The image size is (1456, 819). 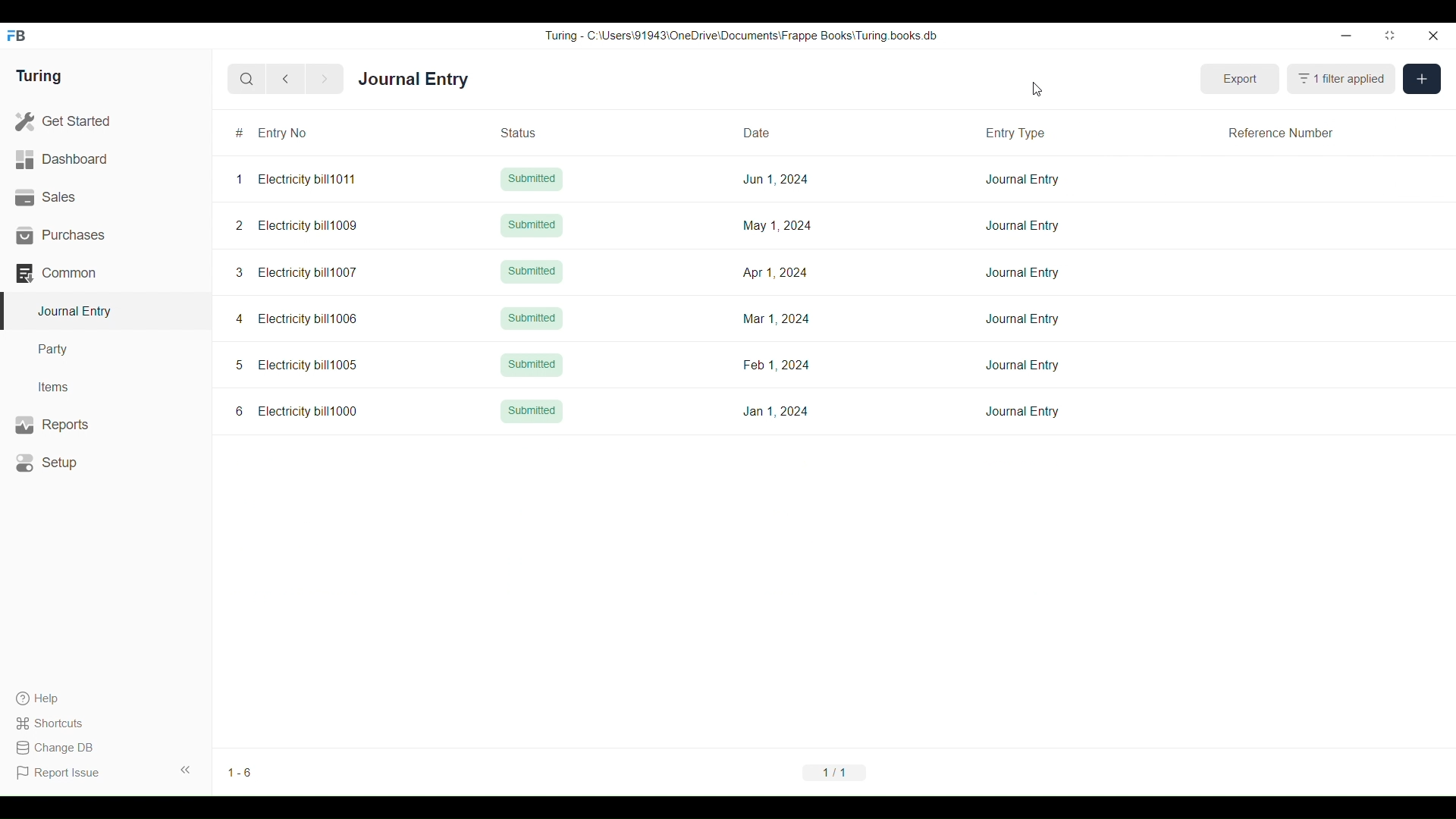 What do you see at coordinates (286, 79) in the screenshot?
I see `Previous` at bounding box center [286, 79].